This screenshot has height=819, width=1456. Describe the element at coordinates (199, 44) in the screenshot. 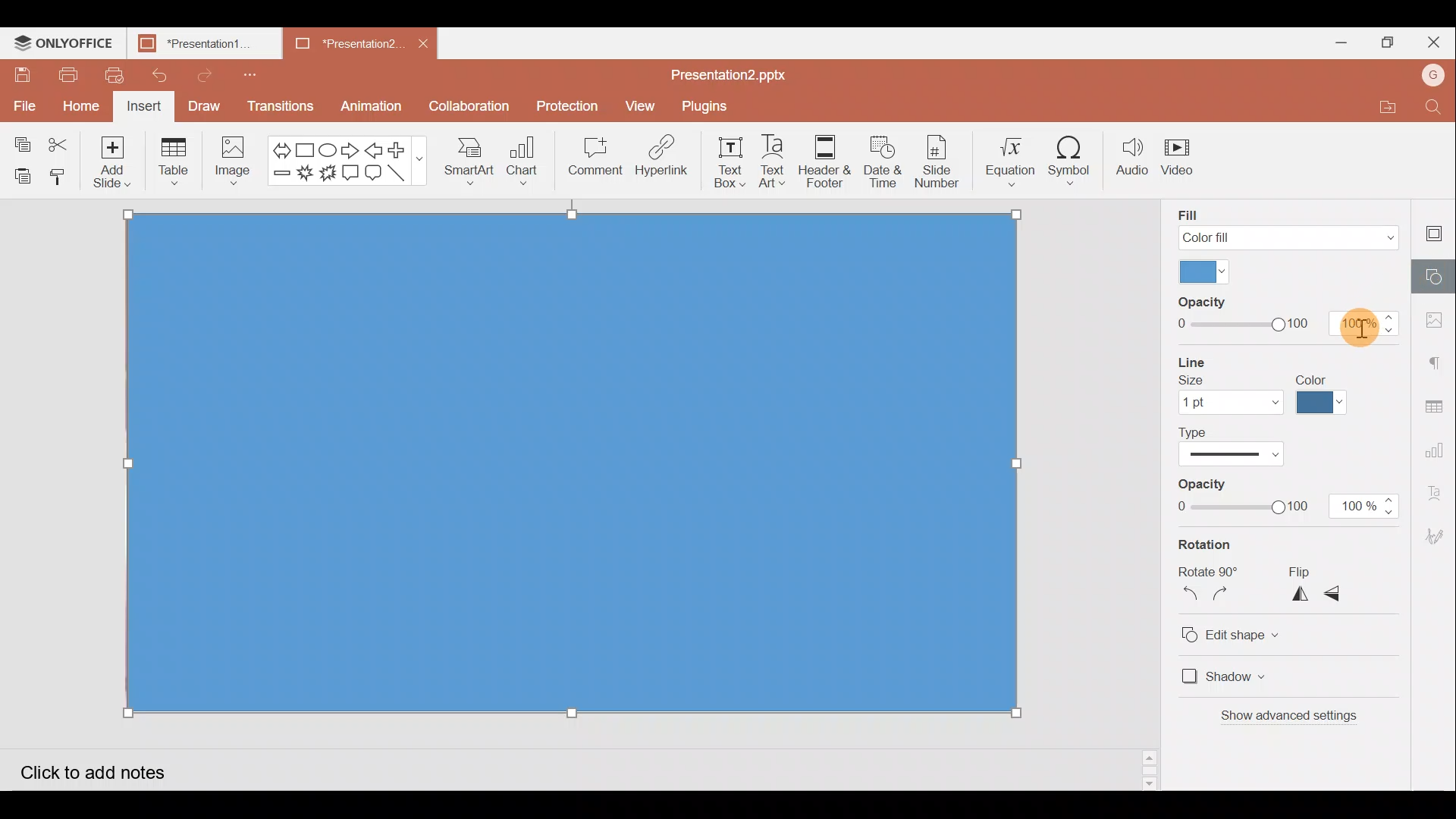

I see `Presentation1.` at that location.